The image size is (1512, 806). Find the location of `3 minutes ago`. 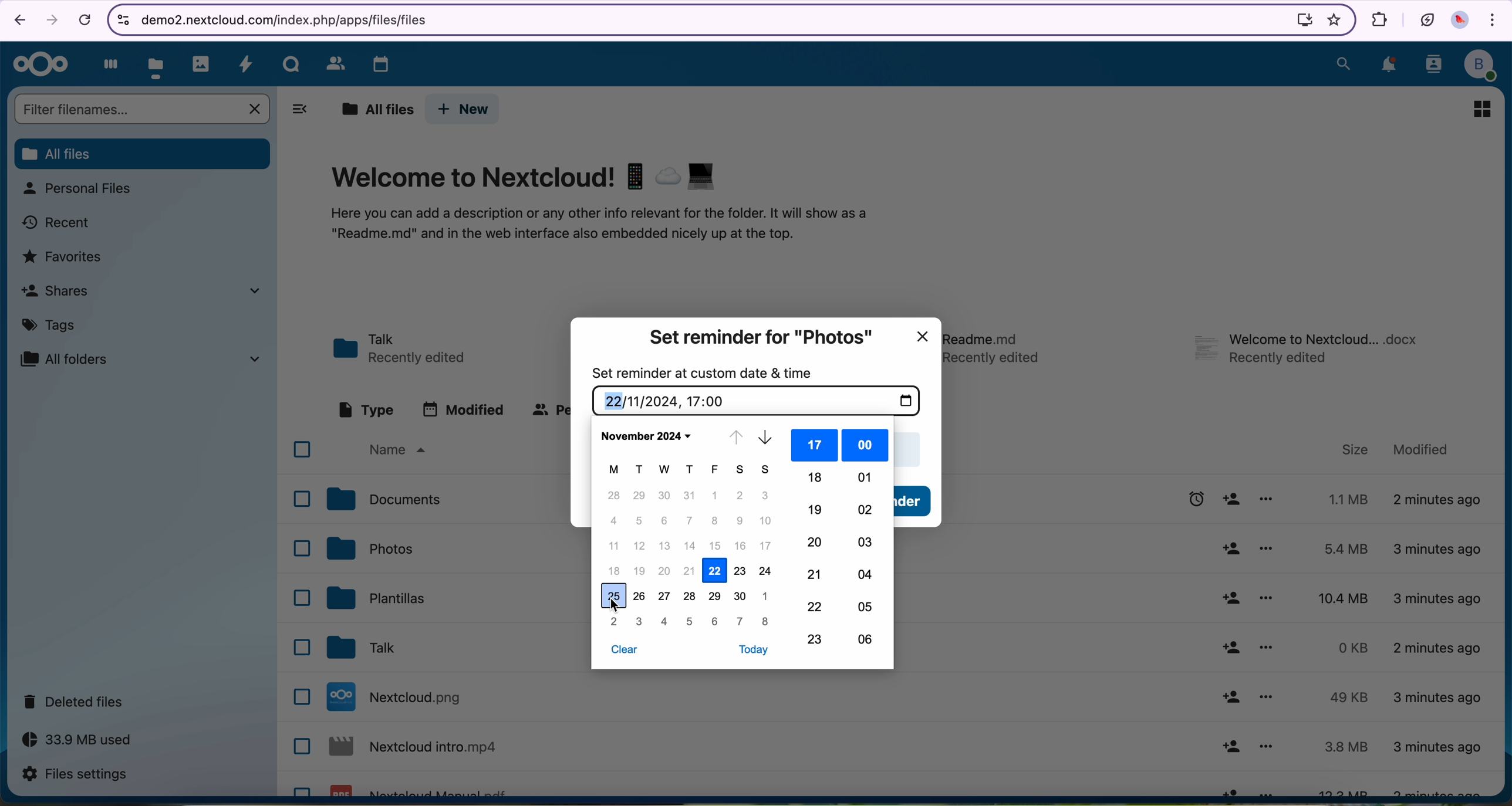

3 minutes ago is located at coordinates (1437, 699).